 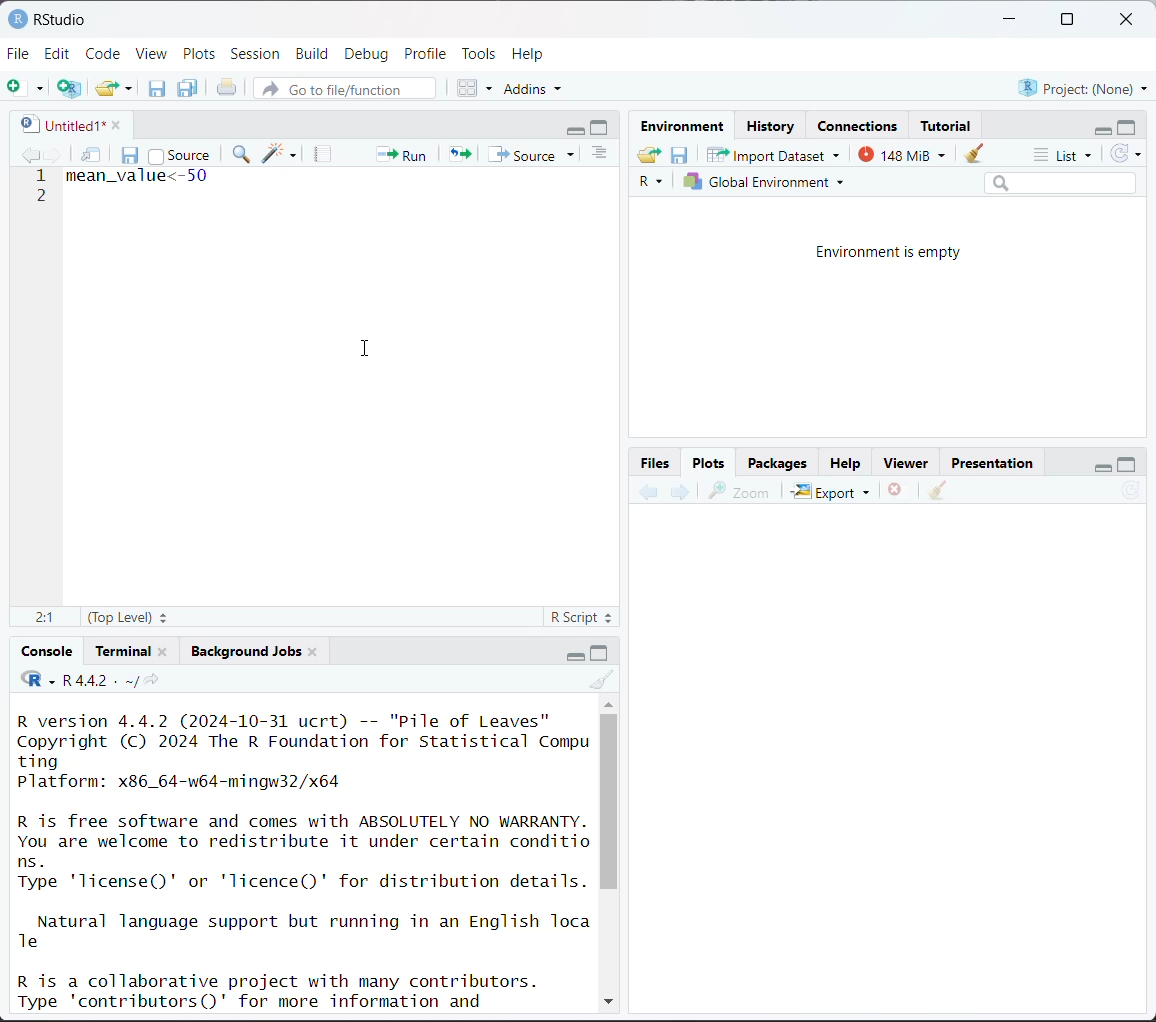 I want to click on load workspace, so click(x=652, y=157).